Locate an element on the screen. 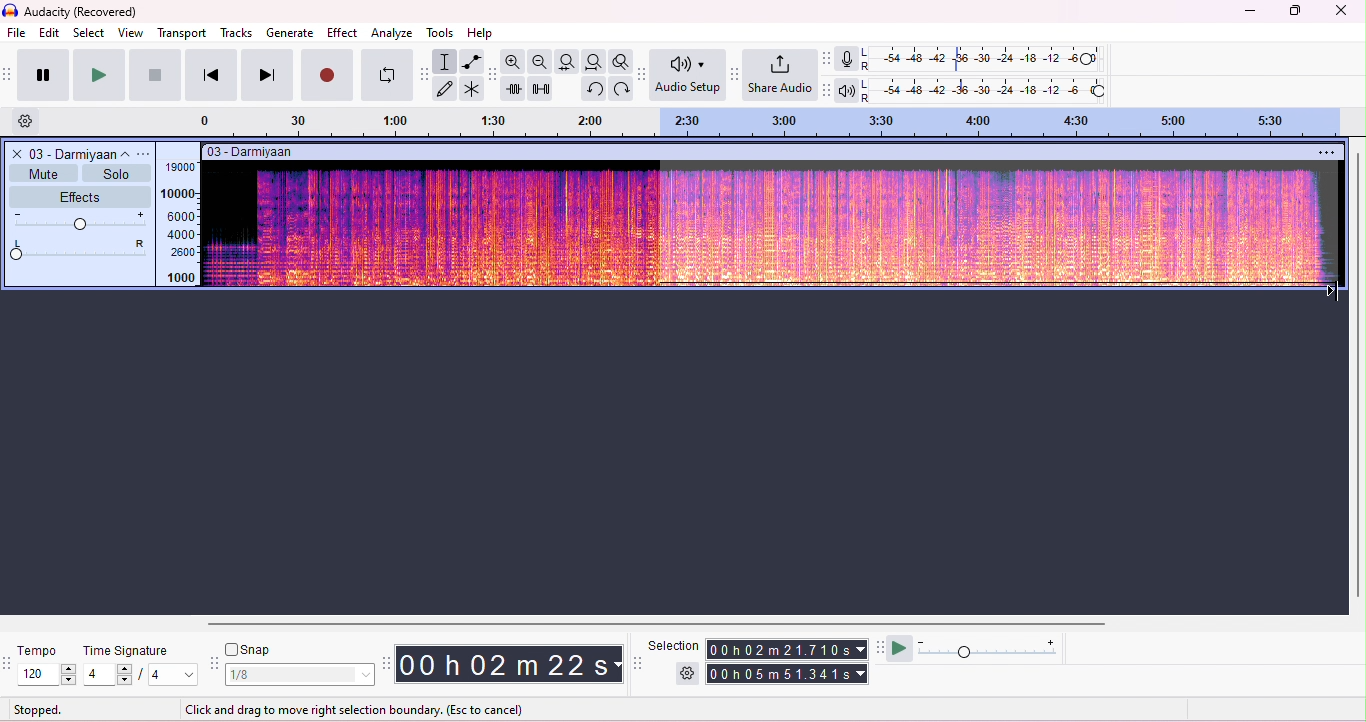 This screenshot has height=722, width=1366. options is located at coordinates (1328, 151).